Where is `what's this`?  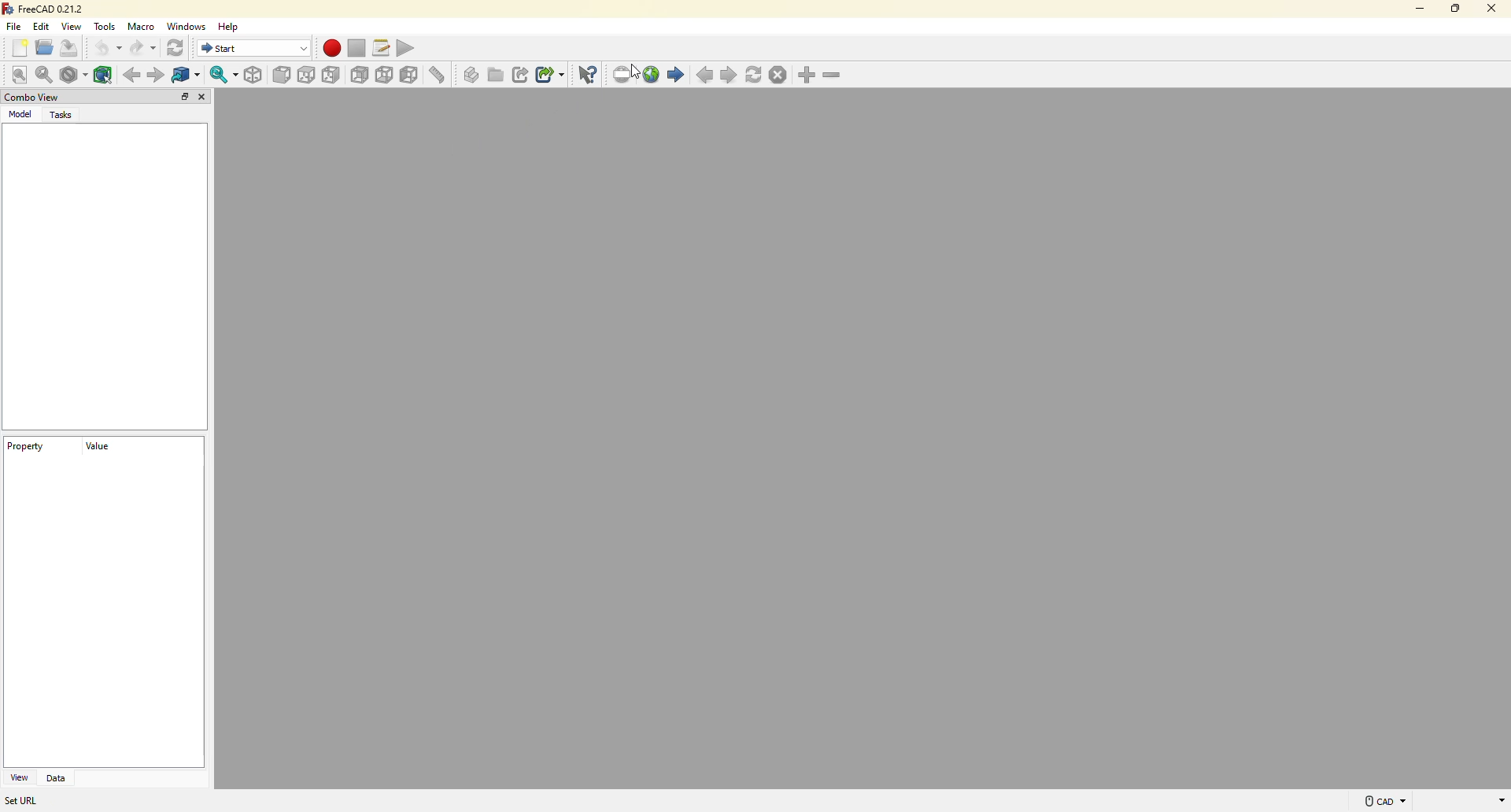
what's this is located at coordinates (589, 74).